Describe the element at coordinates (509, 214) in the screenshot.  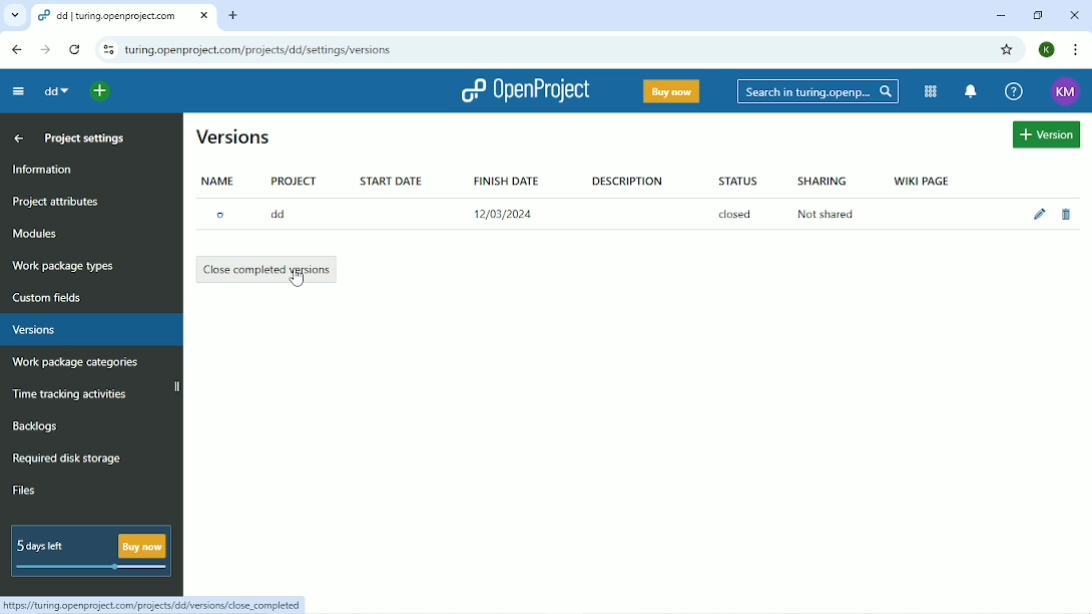
I see `12/03/2024` at that location.